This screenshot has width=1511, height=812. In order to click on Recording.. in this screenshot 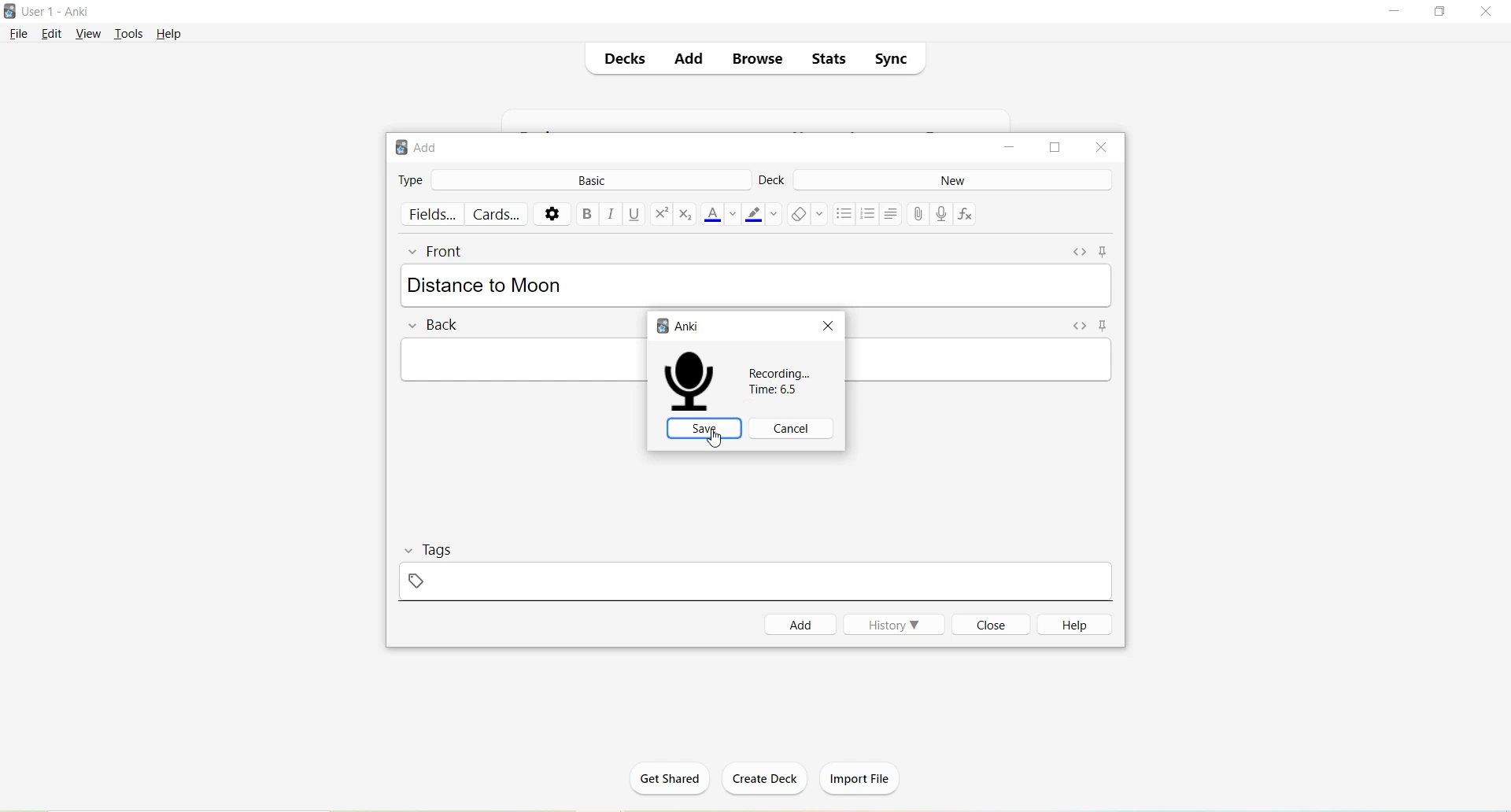, I will do `click(781, 373)`.